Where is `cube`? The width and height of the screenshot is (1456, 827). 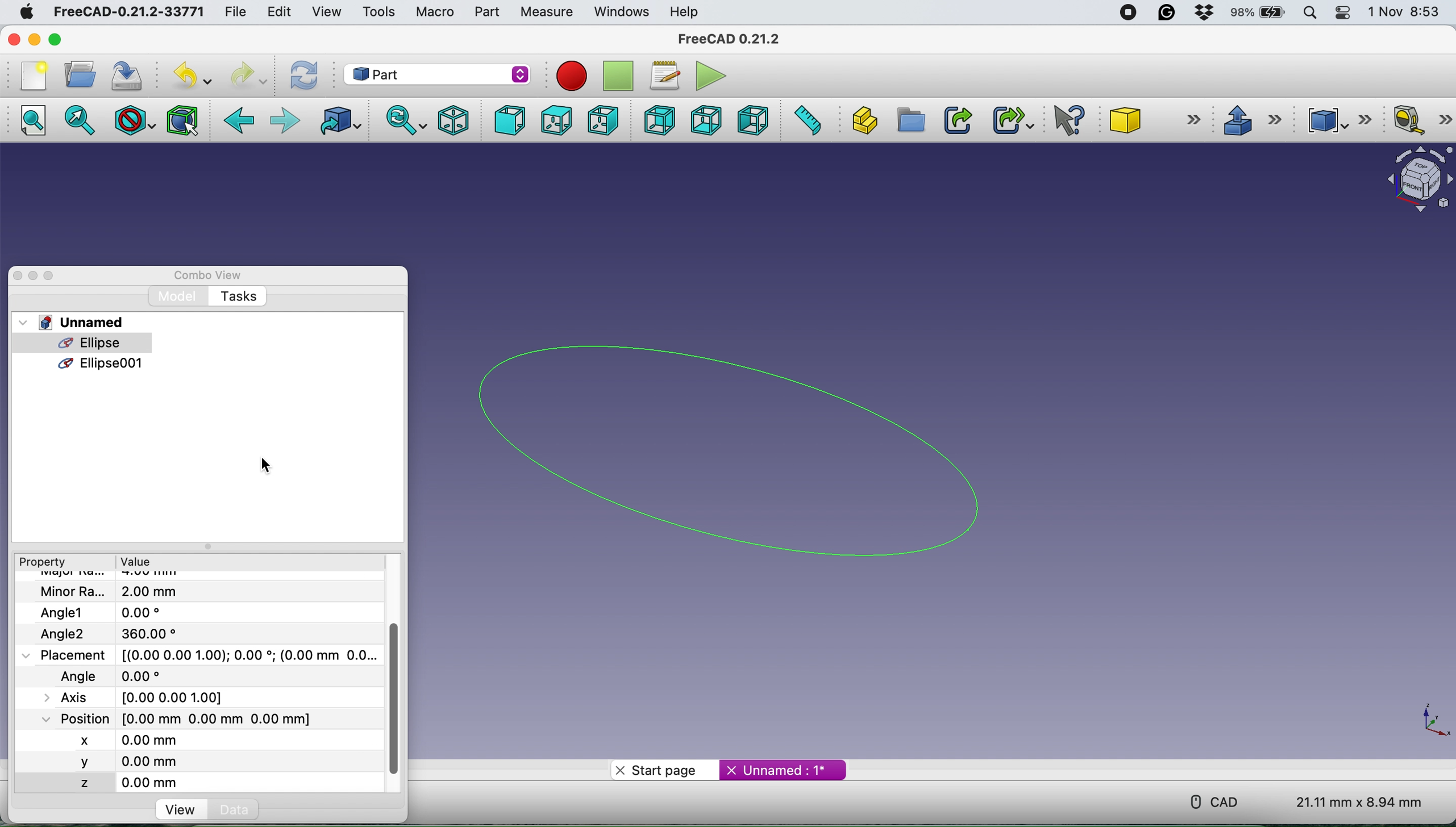 cube is located at coordinates (1157, 118).